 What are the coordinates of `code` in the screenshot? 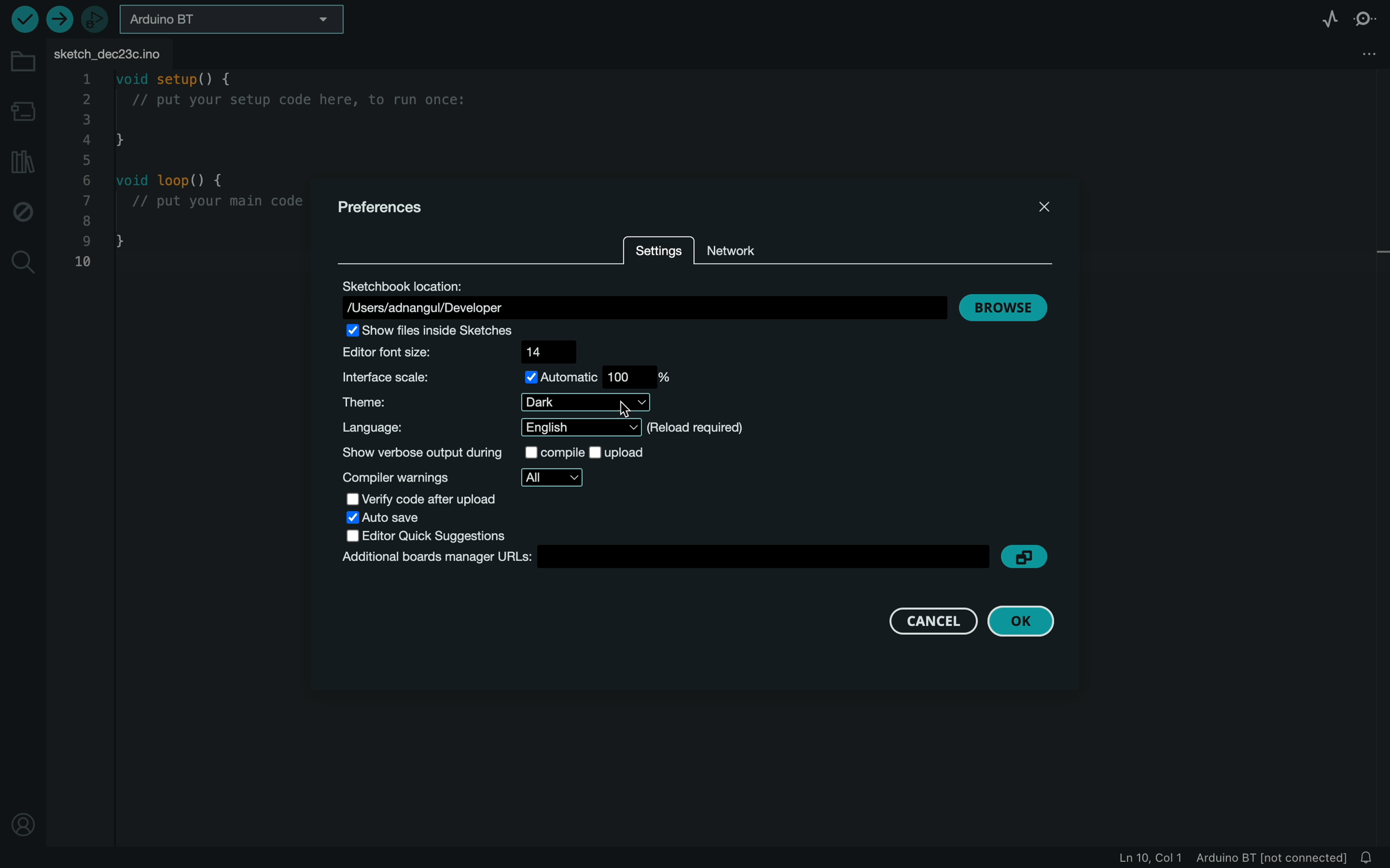 It's located at (191, 173).